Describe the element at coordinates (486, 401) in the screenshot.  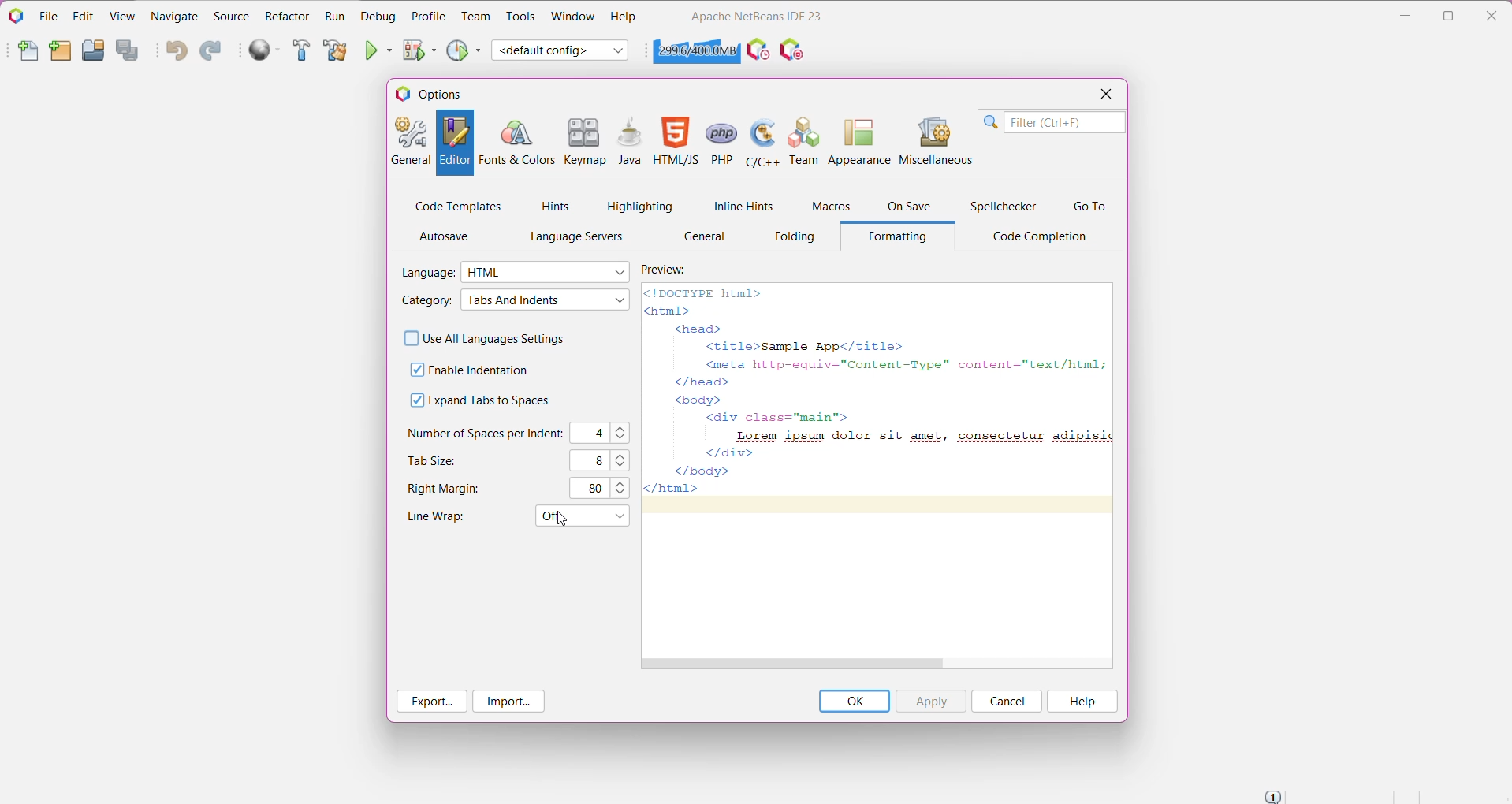
I see `Expand Tabs to Spaces - click to enable` at that location.